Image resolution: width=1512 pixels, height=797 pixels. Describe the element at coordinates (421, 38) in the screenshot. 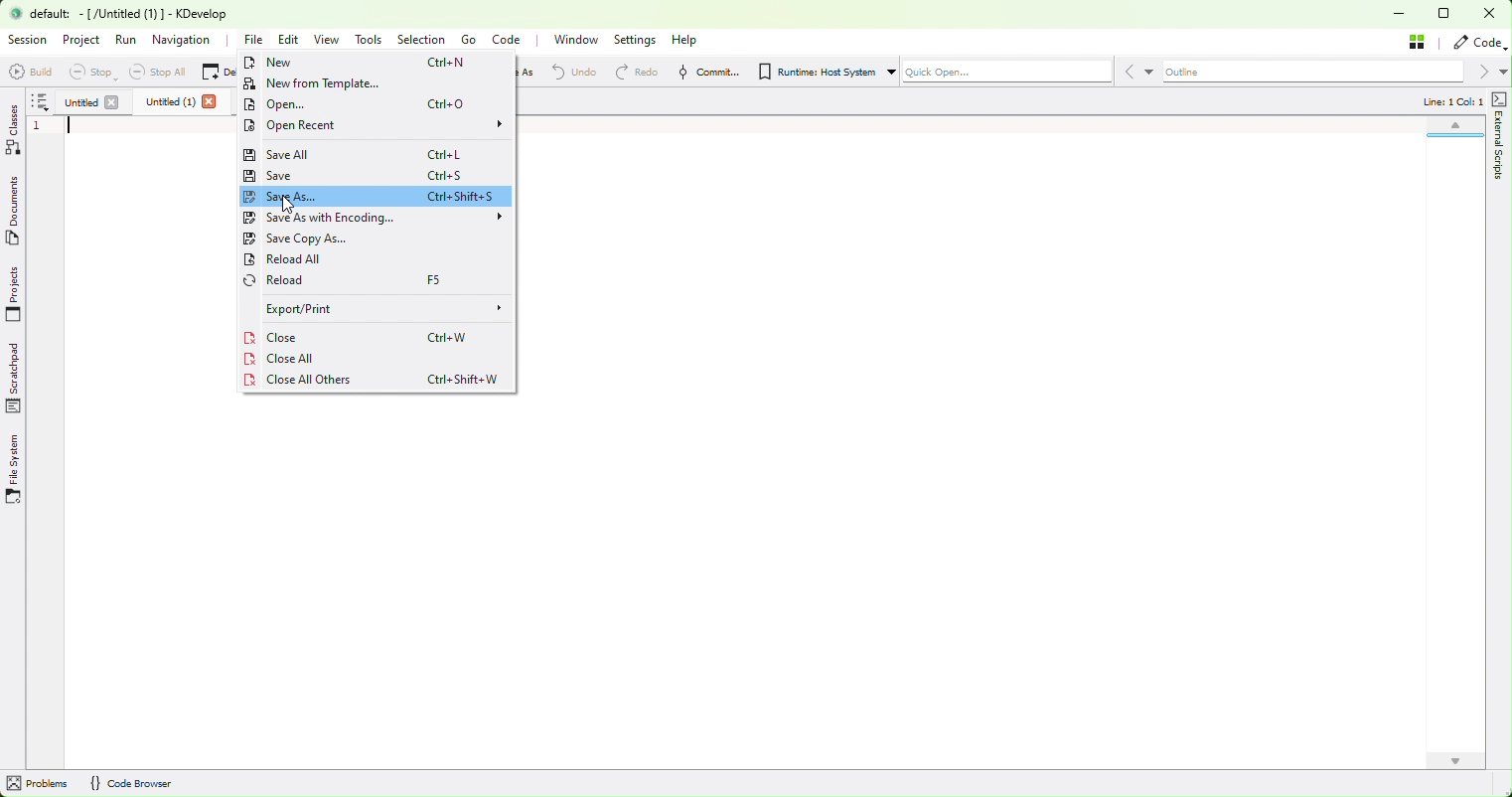

I see `Selection` at that location.